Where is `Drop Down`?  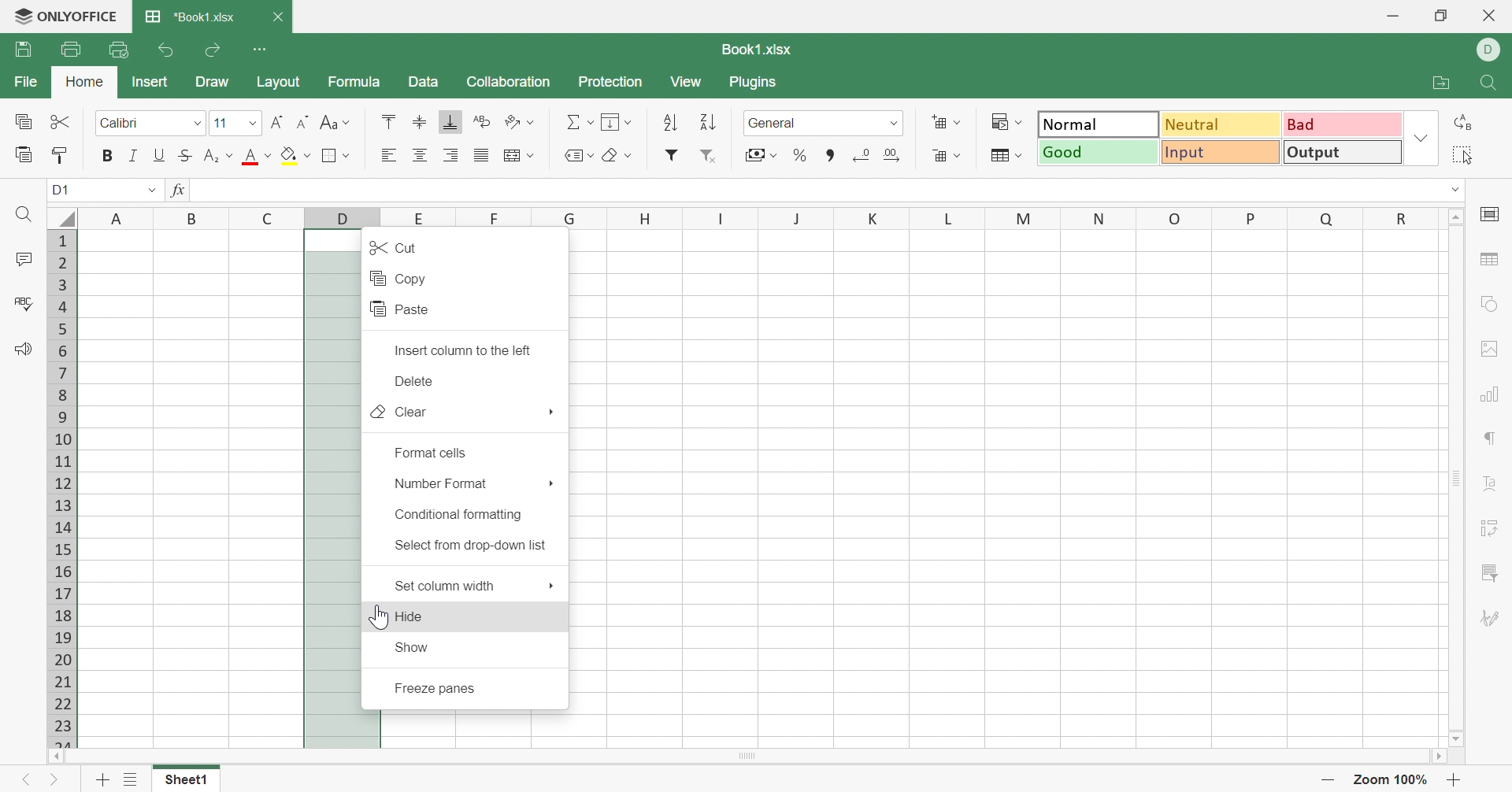
Drop Down is located at coordinates (957, 156).